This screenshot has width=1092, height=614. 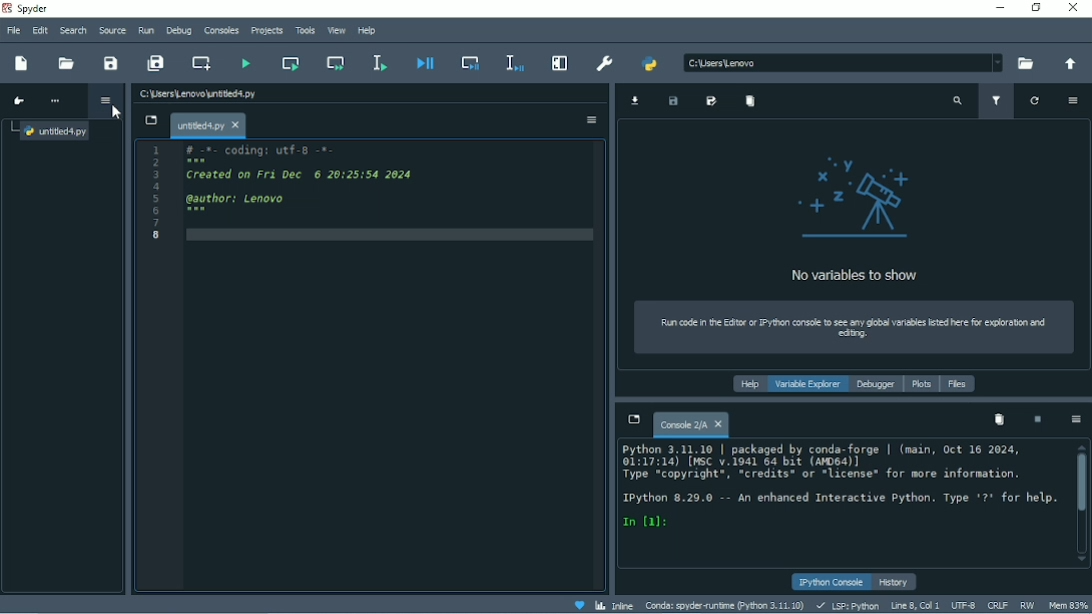 I want to click on Debugger, so click(x=877, y=385).